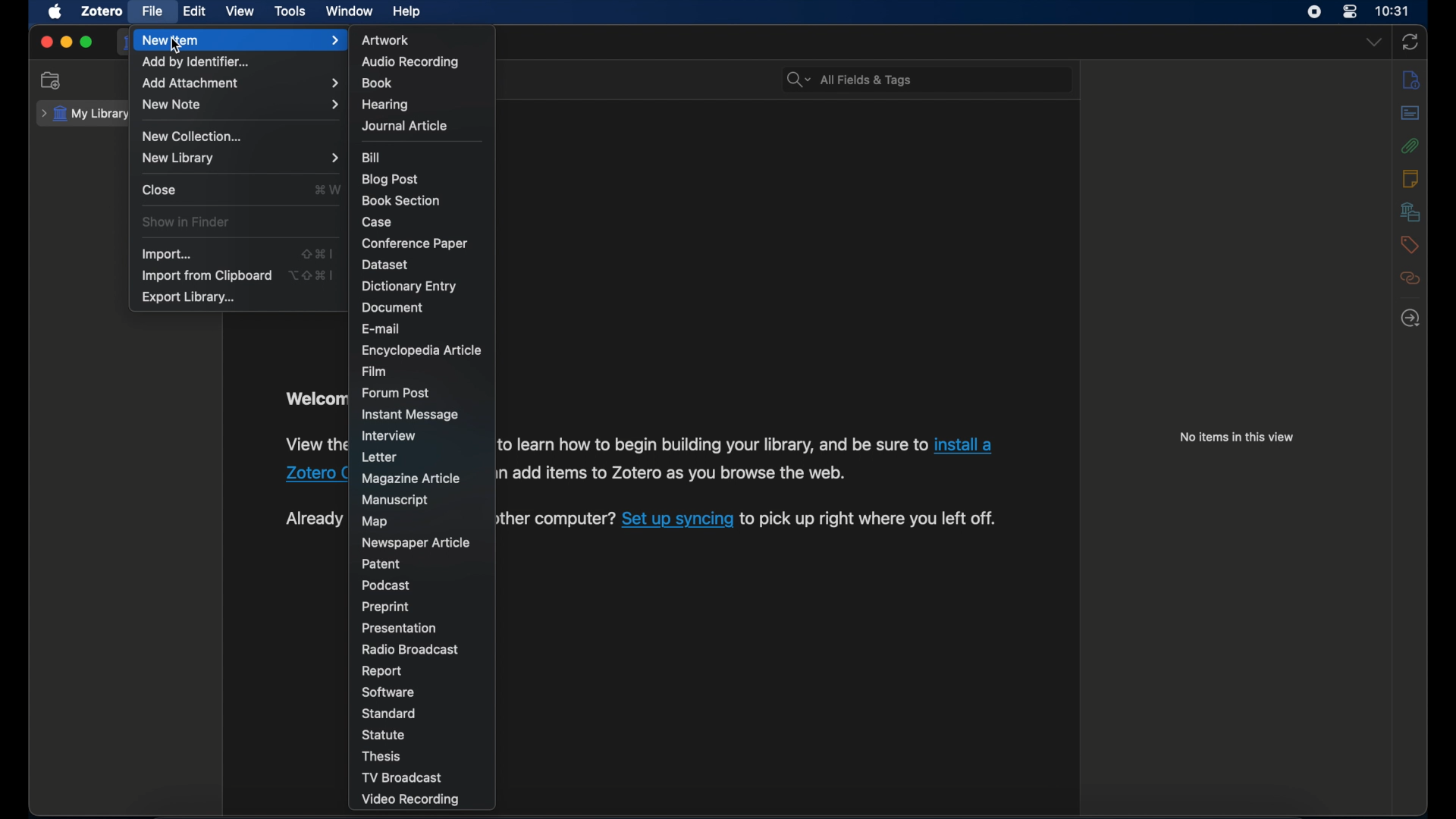  Describe the element at coordinates (420, 351) in the screenshot. I see `encyclopedia article` at that location.